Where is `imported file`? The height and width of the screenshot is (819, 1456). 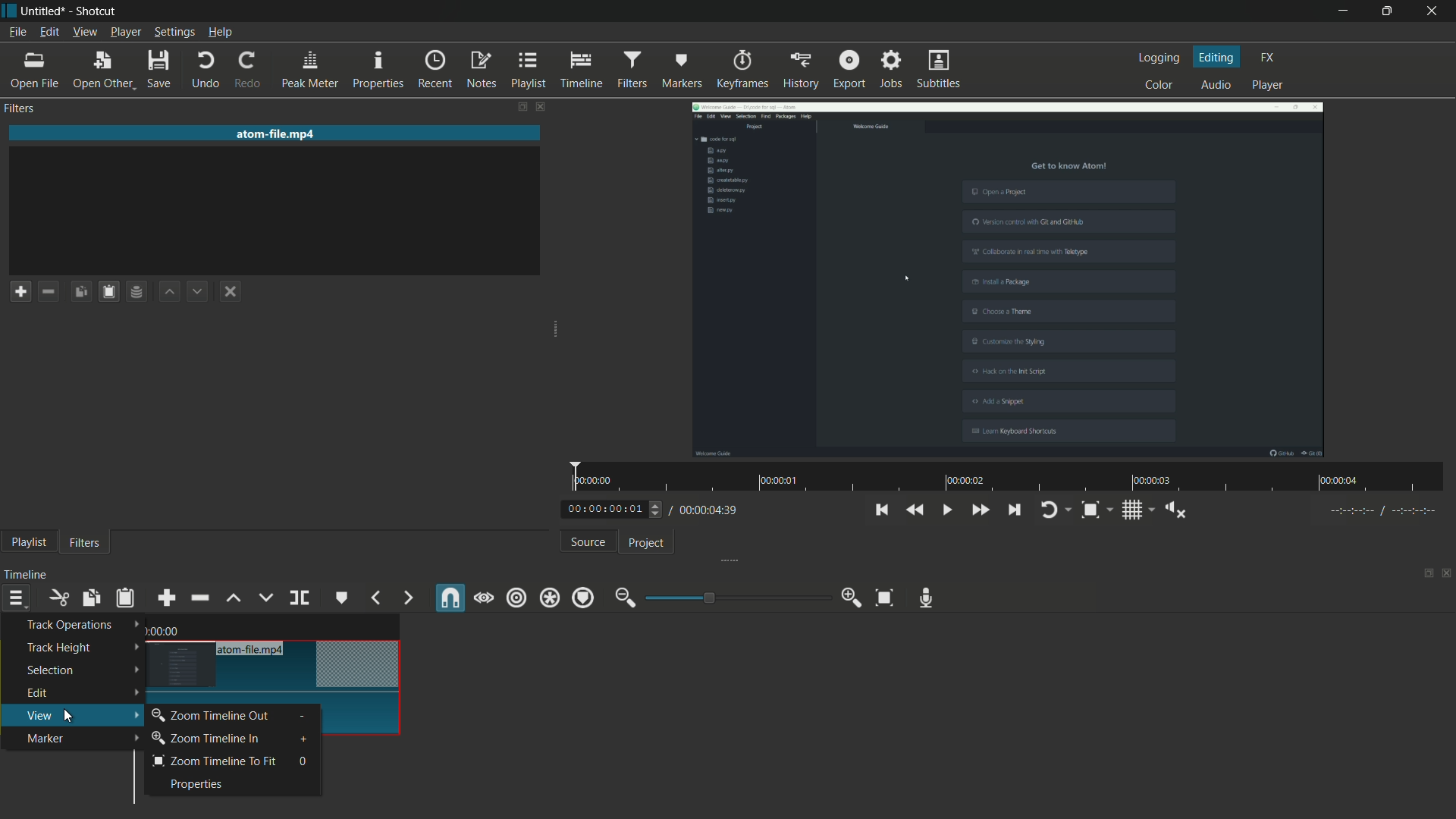
imported file is located at coordinates (1009, 279).